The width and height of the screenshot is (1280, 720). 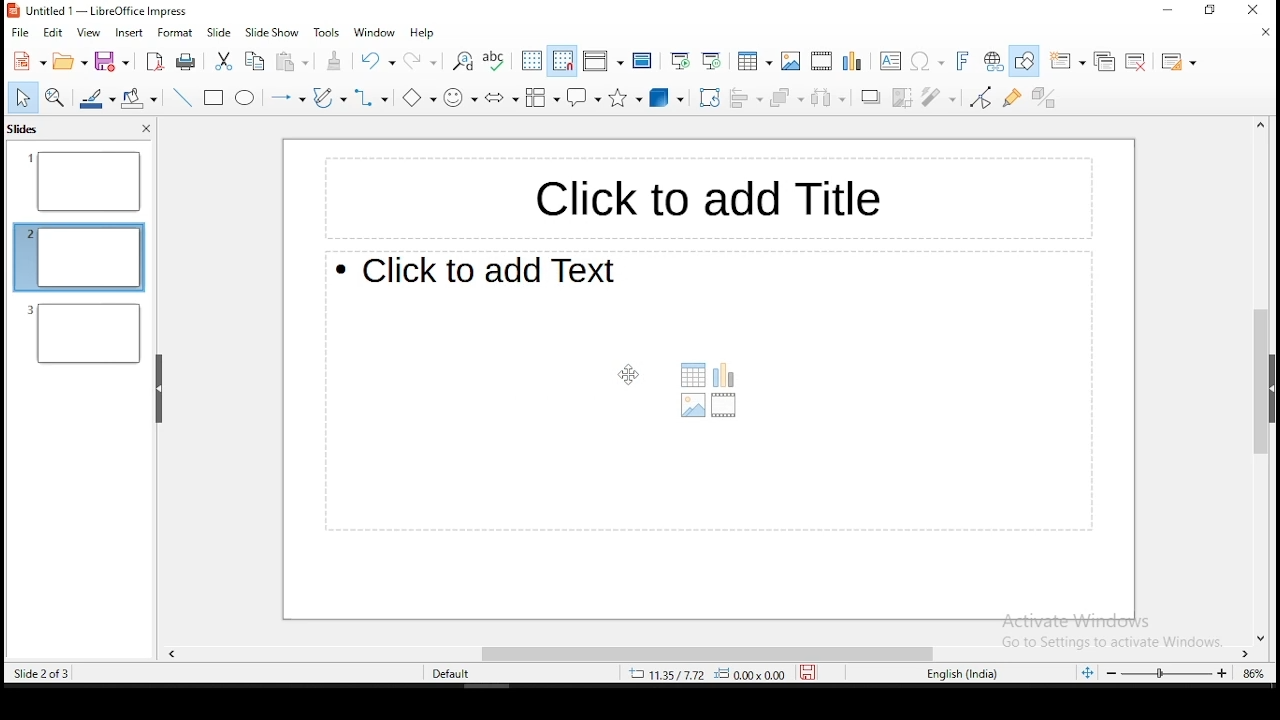 What do you see at coordinates (494, 62) in the screenshot?
I see `spell check` at bounding box center [494, 62].